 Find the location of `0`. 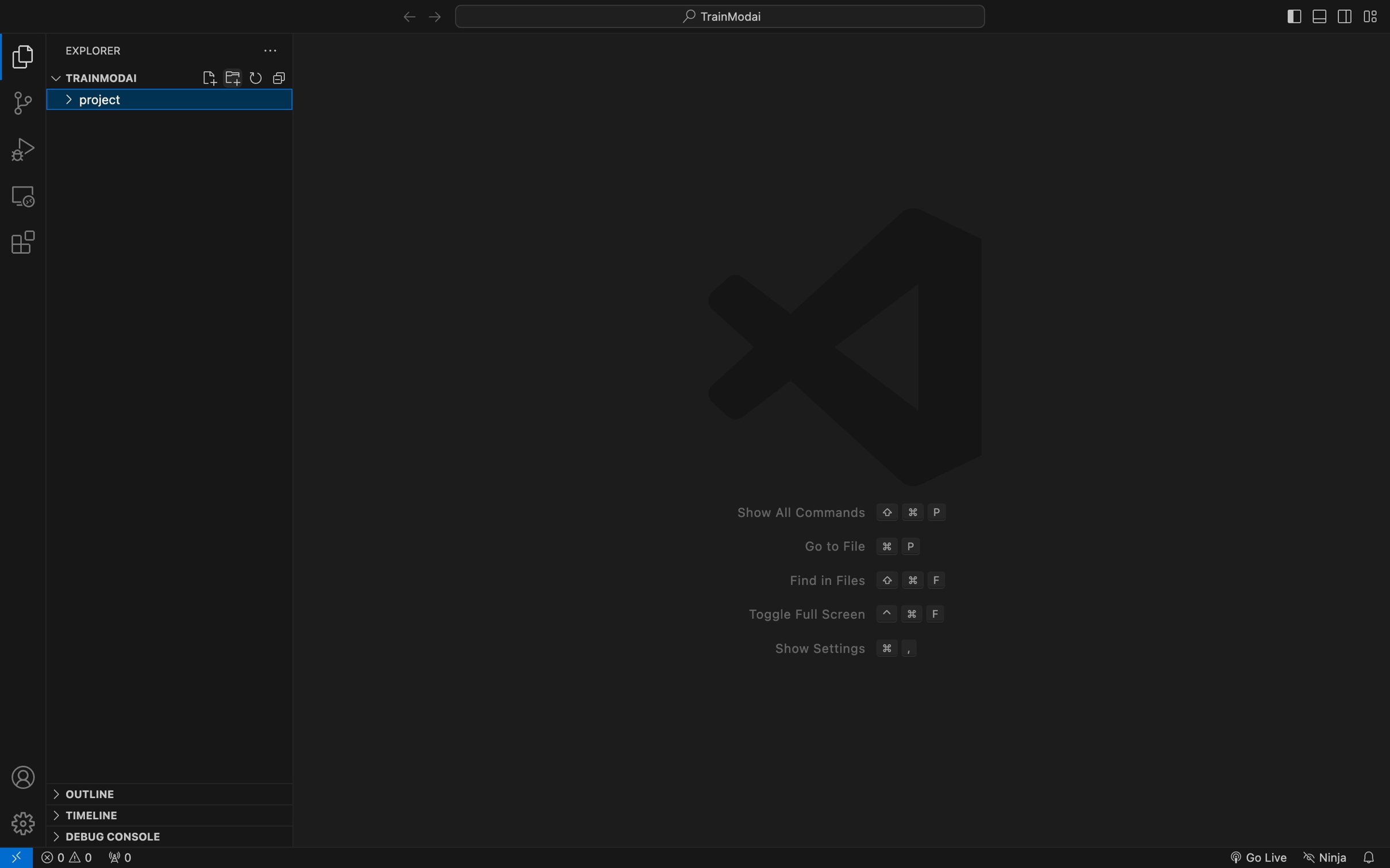

0 is located at coordinates (67, 858).